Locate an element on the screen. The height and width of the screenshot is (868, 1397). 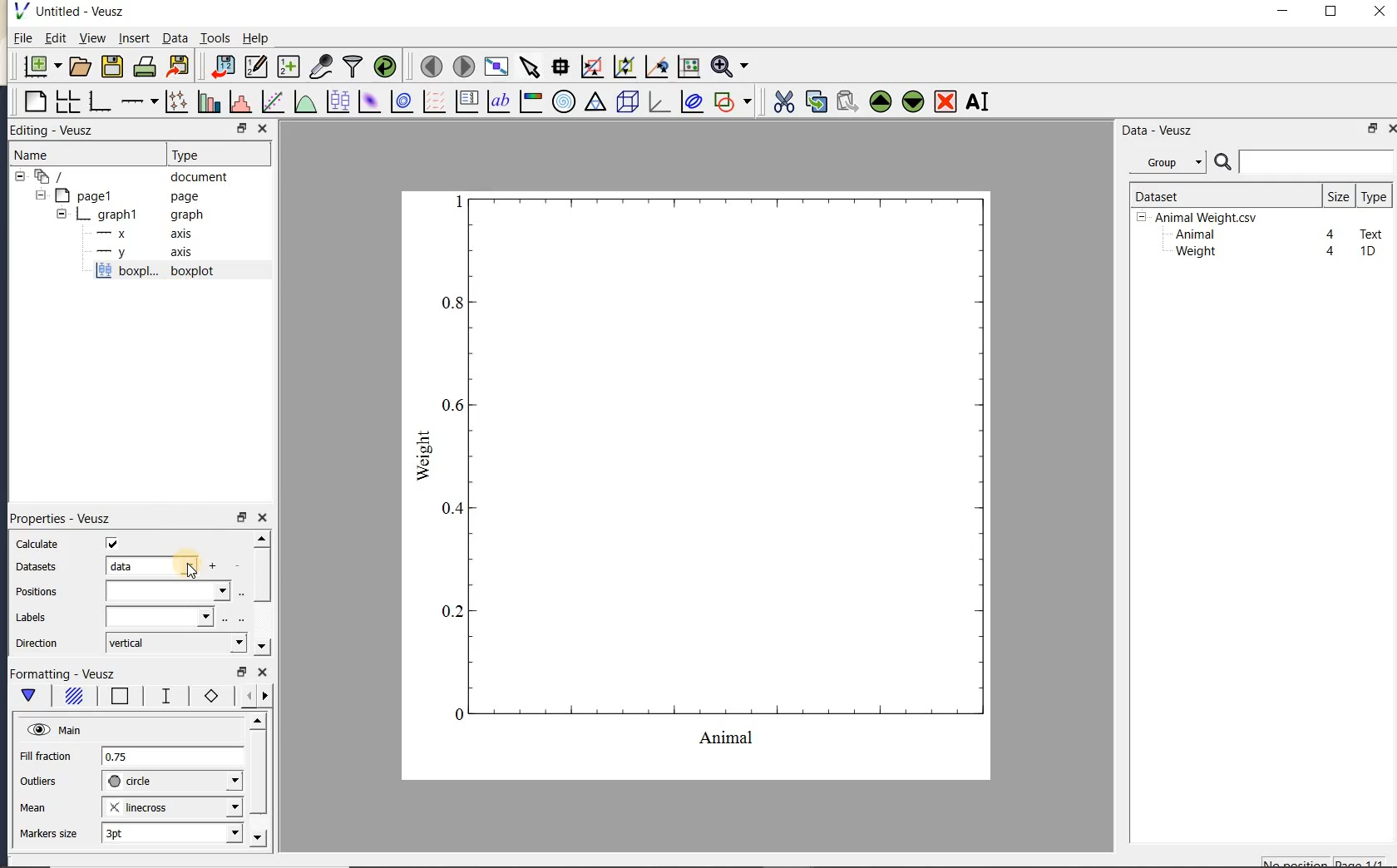
box border is located at coordinates (116, 698).